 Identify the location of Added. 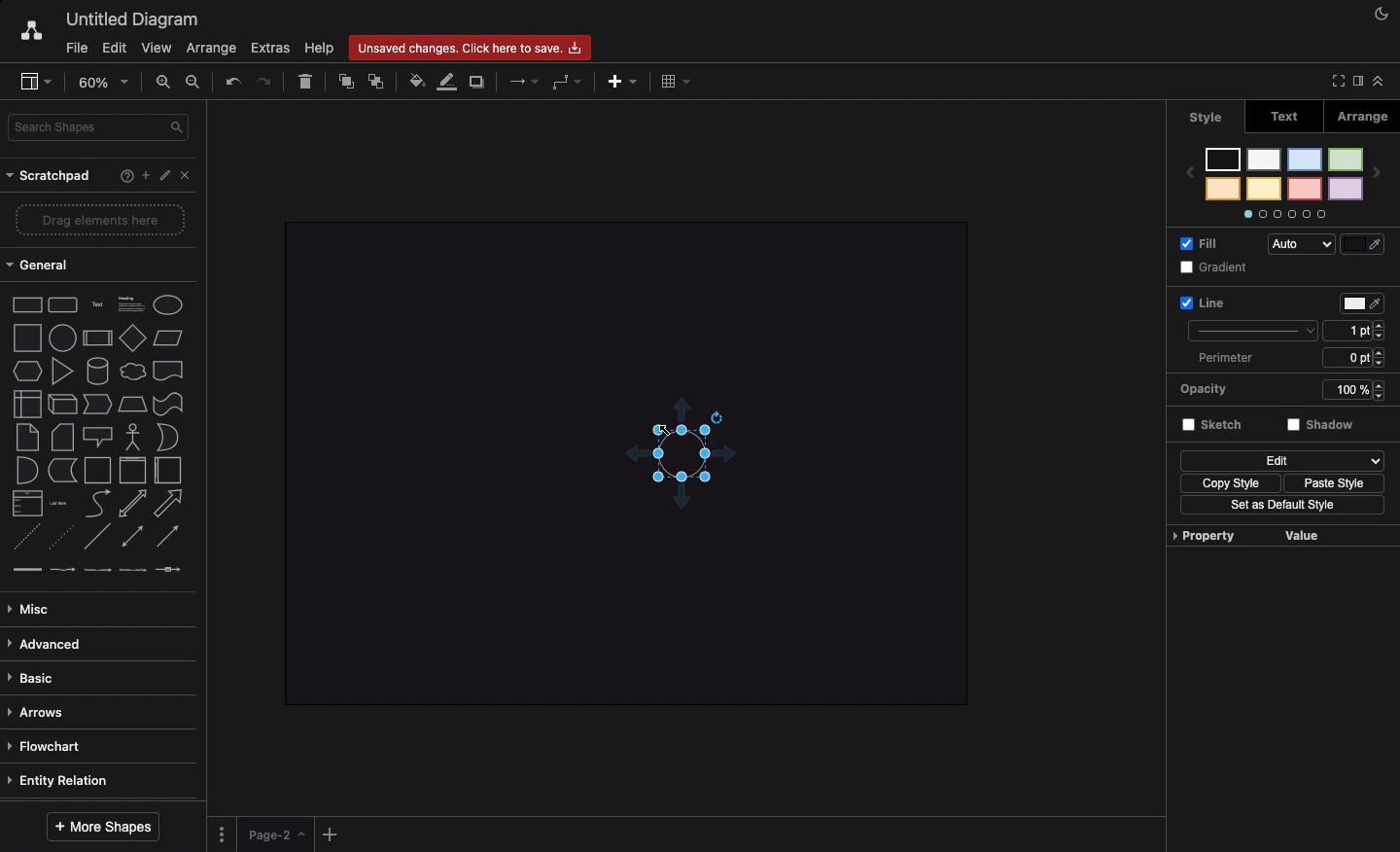
(691, 444).